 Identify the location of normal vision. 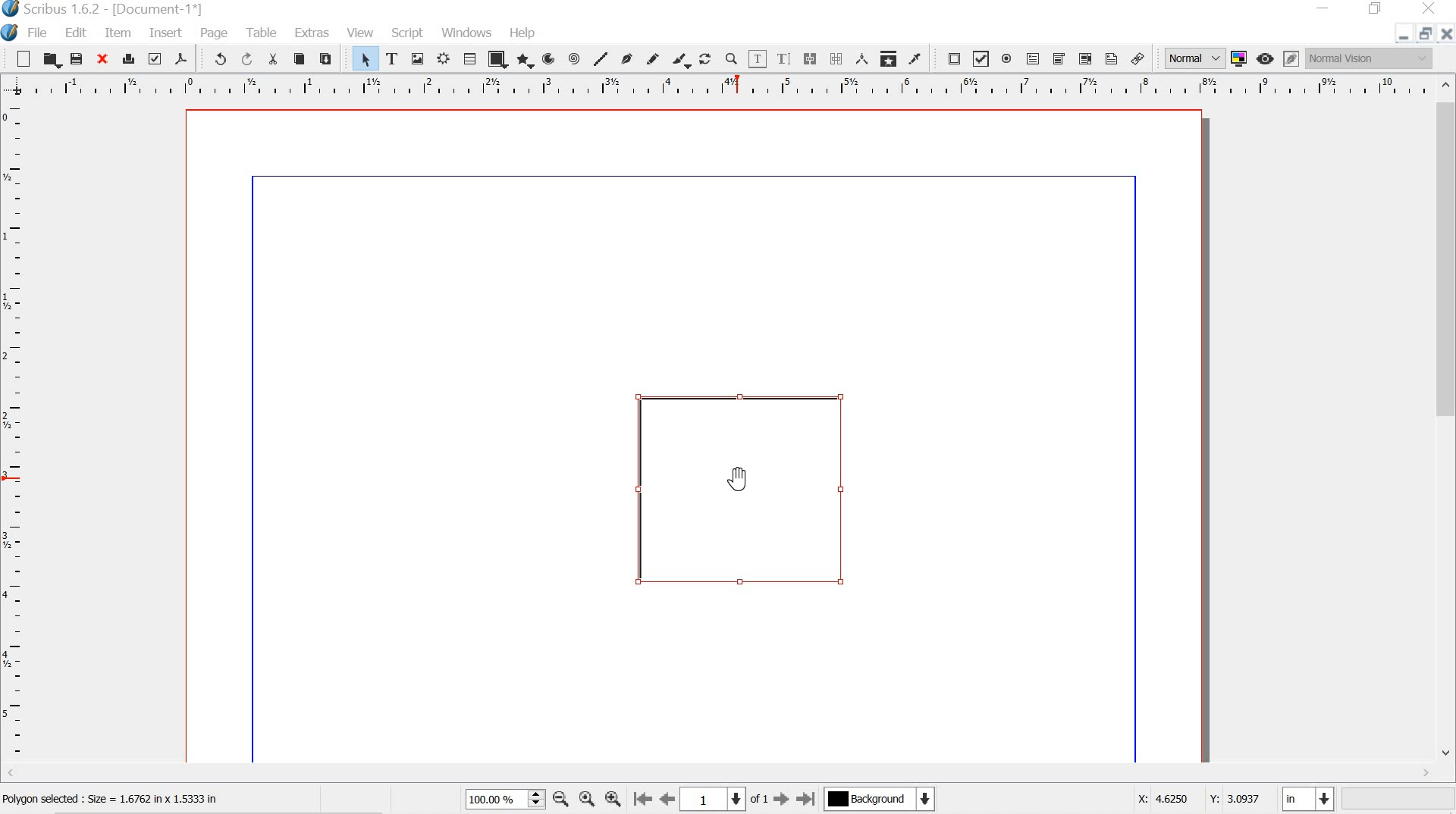
(1370, 58).